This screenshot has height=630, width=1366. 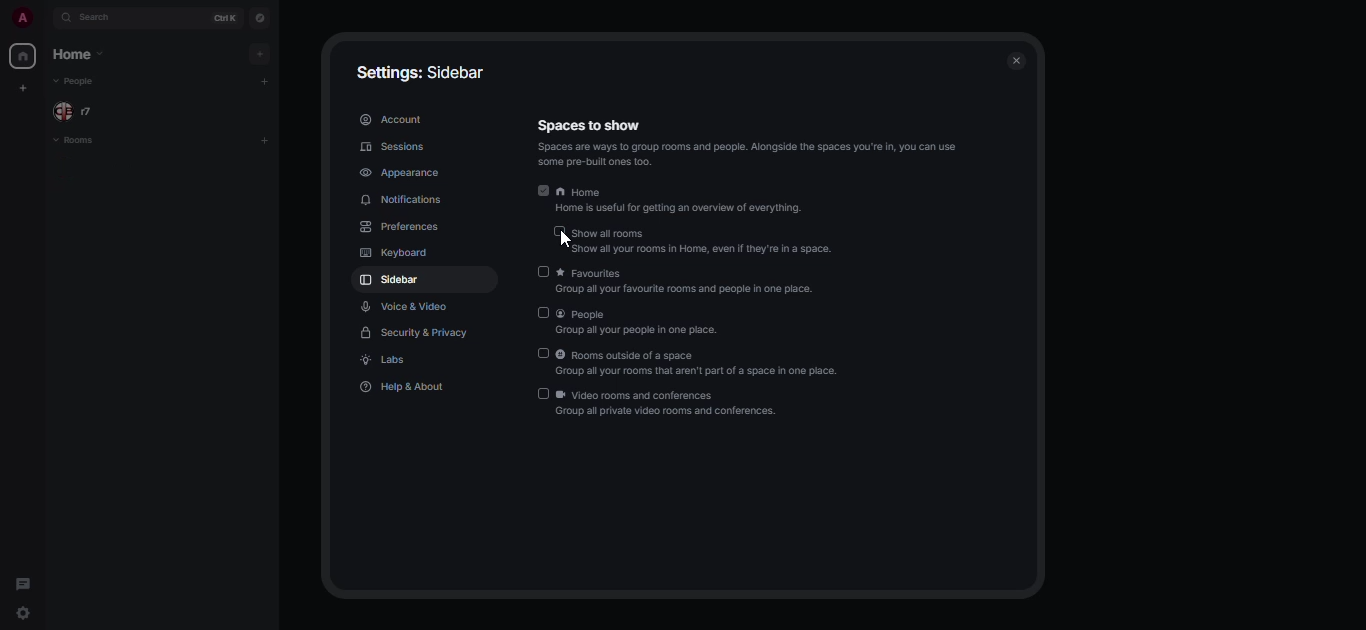 What do you see at coordinates (1017, 62) in the screenshot?
I see `close` at bounding box center [1017, 62].